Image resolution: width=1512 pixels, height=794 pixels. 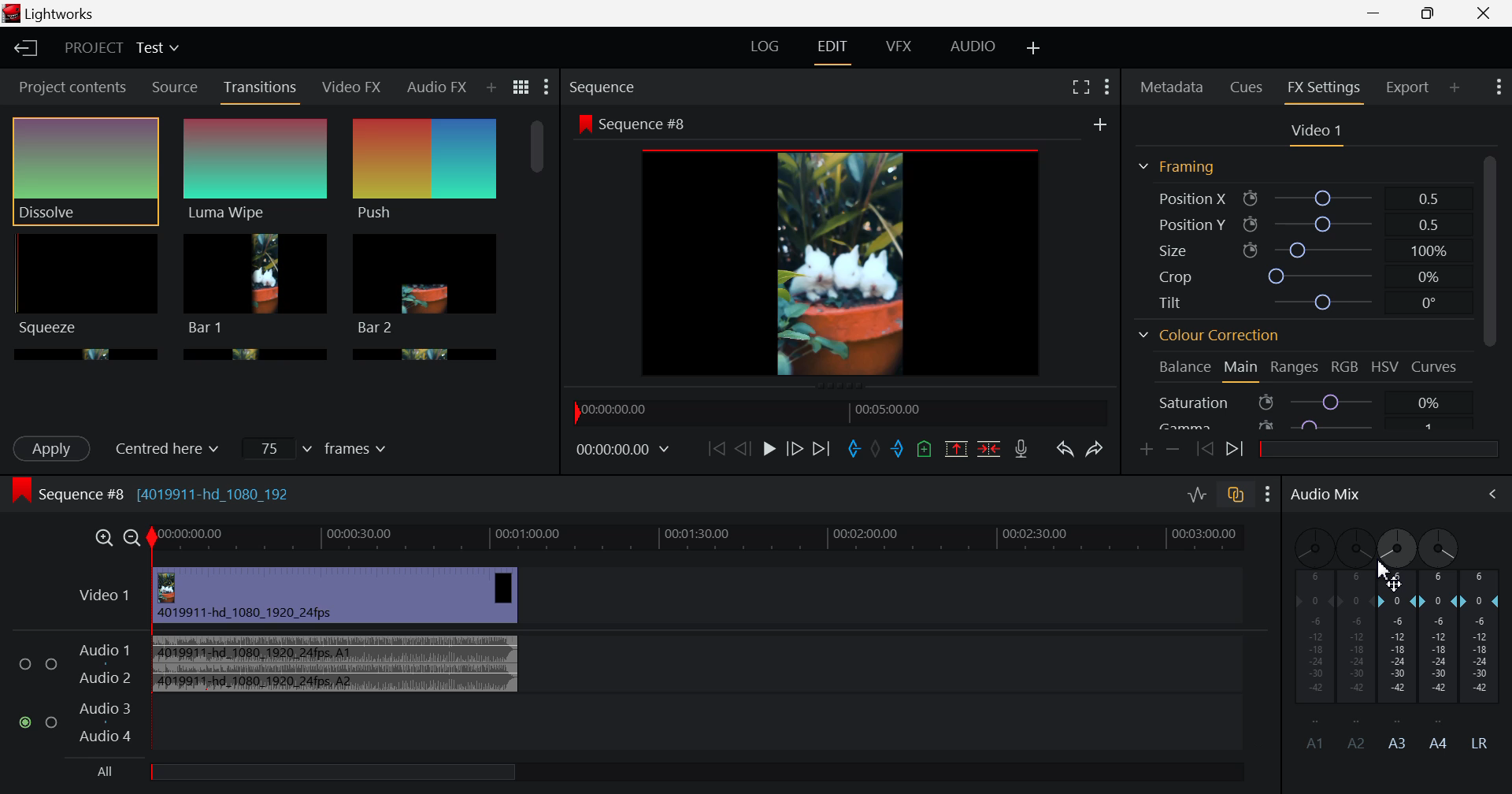 I want to click on Show Settings, so click(x=1106, y=87).